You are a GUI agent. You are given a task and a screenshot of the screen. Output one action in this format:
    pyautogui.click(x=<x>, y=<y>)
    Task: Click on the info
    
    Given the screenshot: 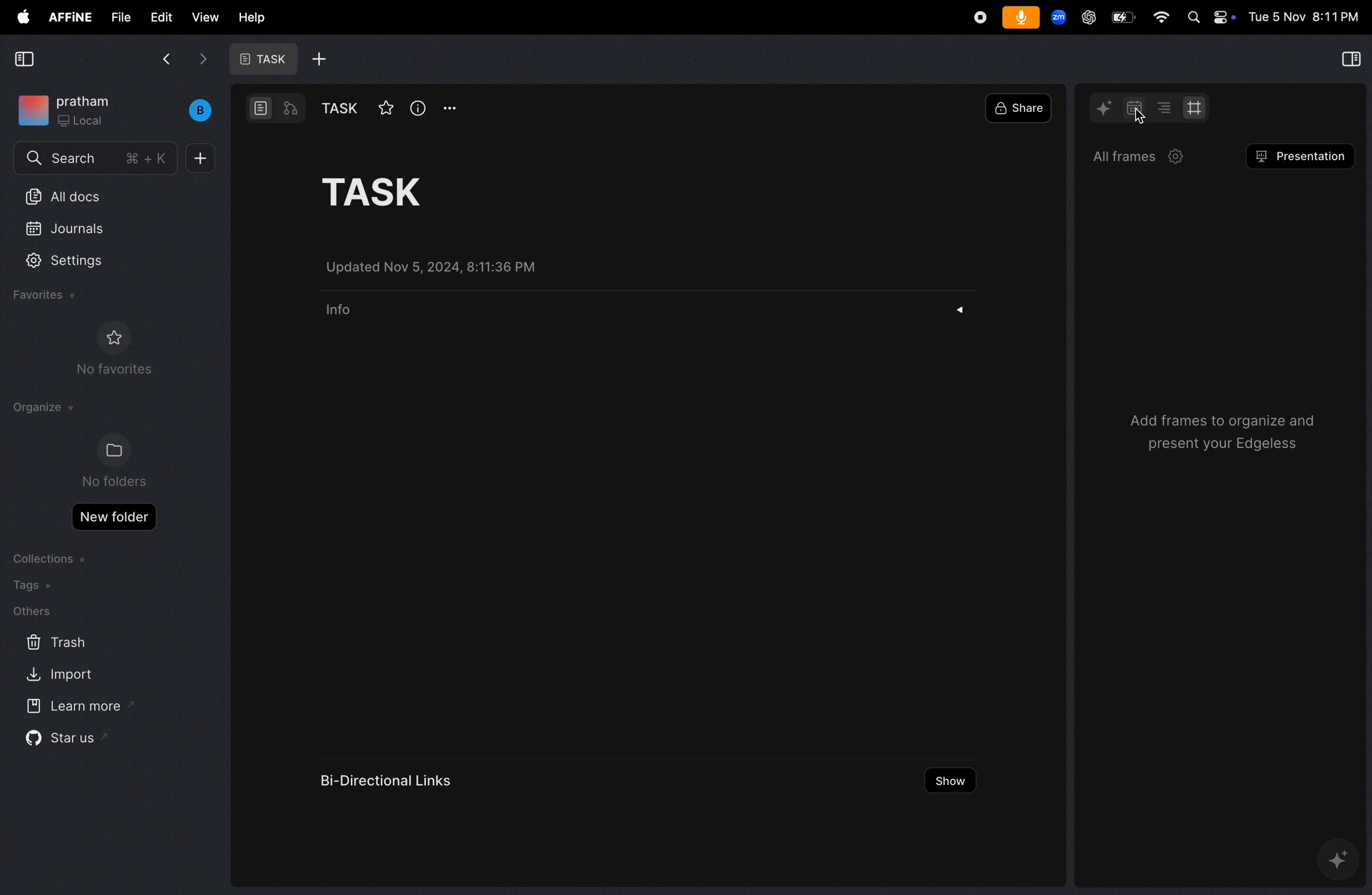 What is the action you would take?
    pyautogui.click(x=338, y=315)
    